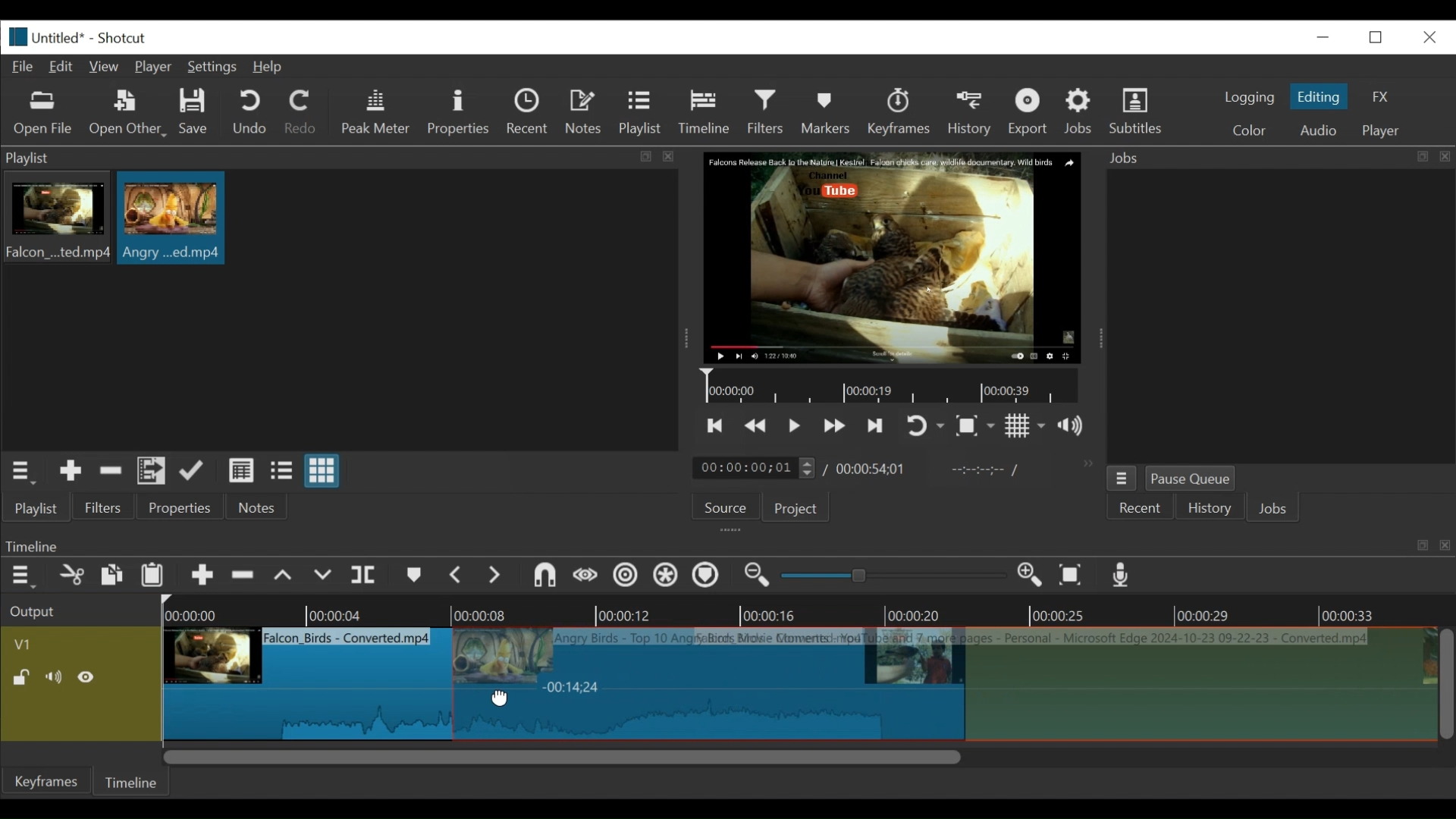 Image resolution: width=1456 pixels, height=819 pixels. I want to click on Audio, so click(1317, 130).